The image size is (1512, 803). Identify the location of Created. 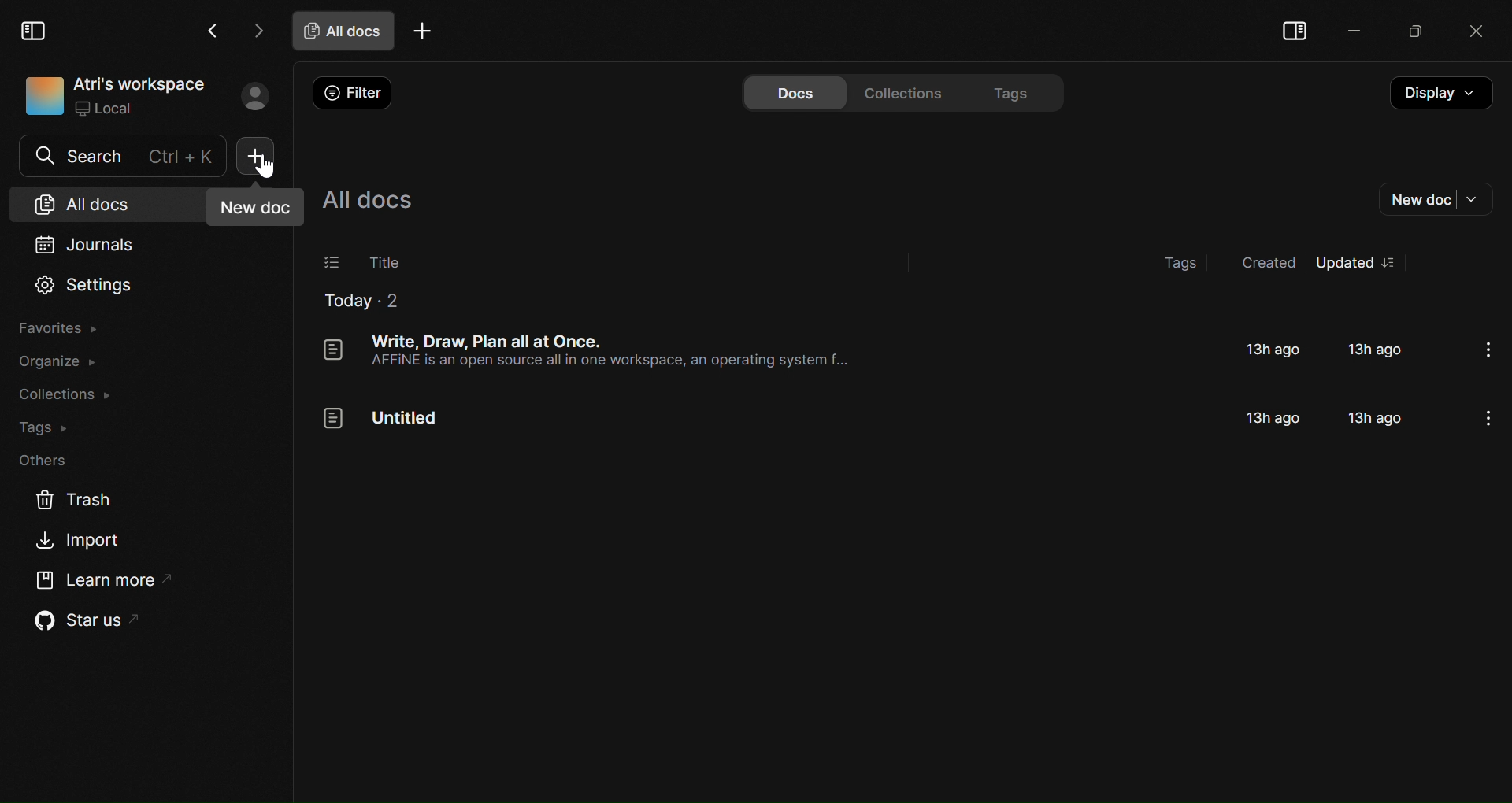
(1264, 265).